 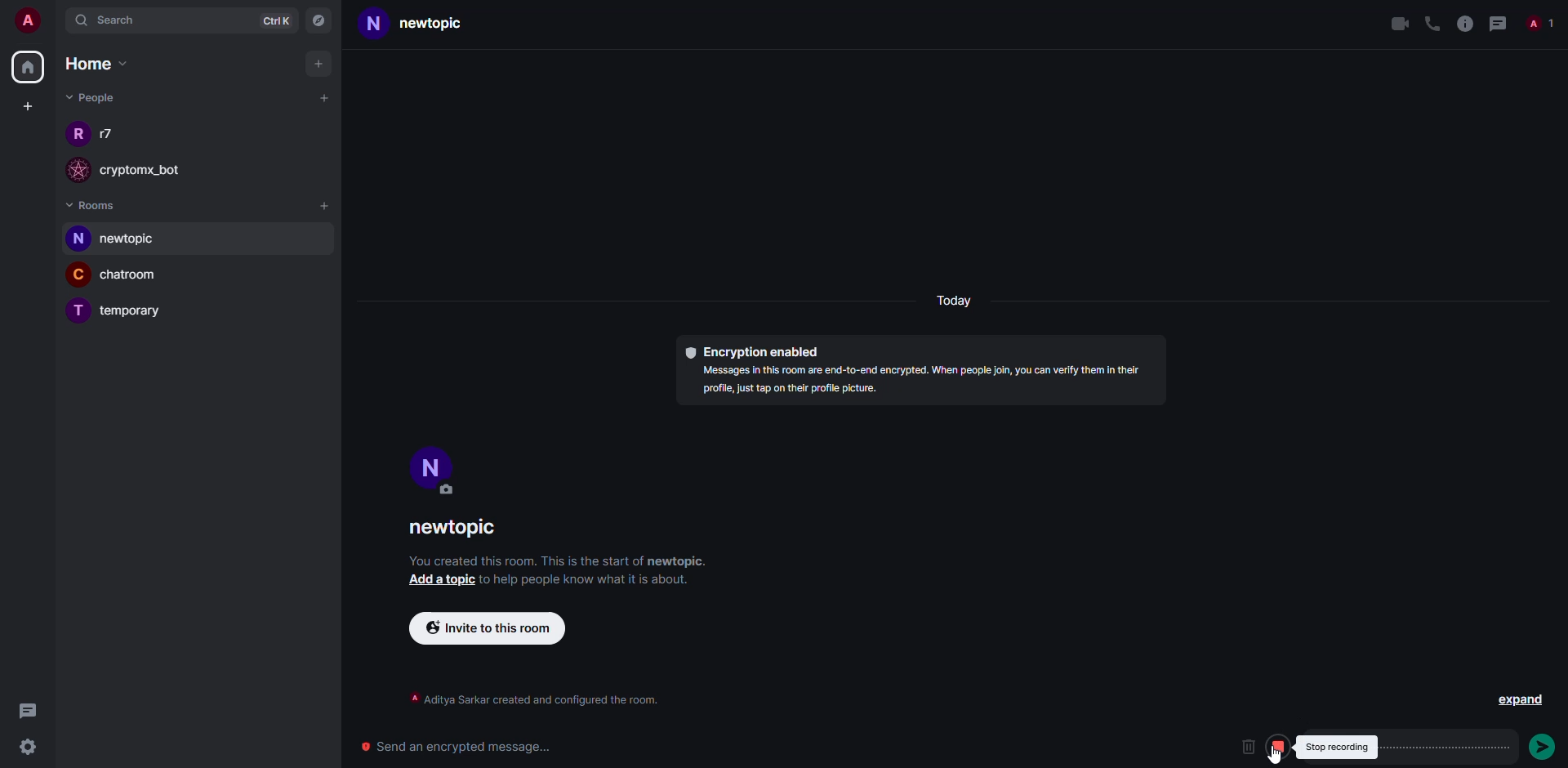 I want to click on expand, so click(x=1517, y=703).